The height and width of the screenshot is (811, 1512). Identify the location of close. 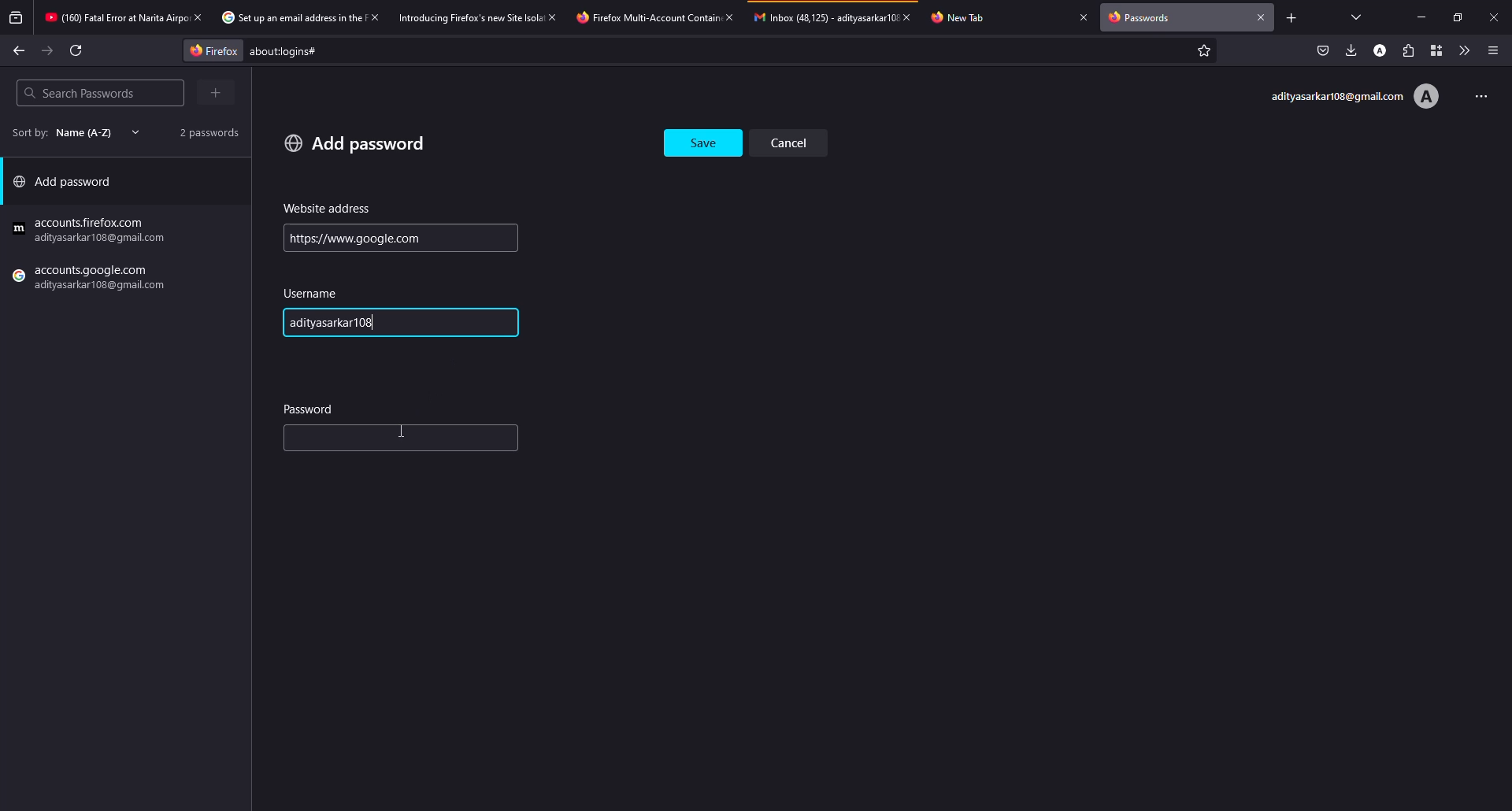
(197, 17).